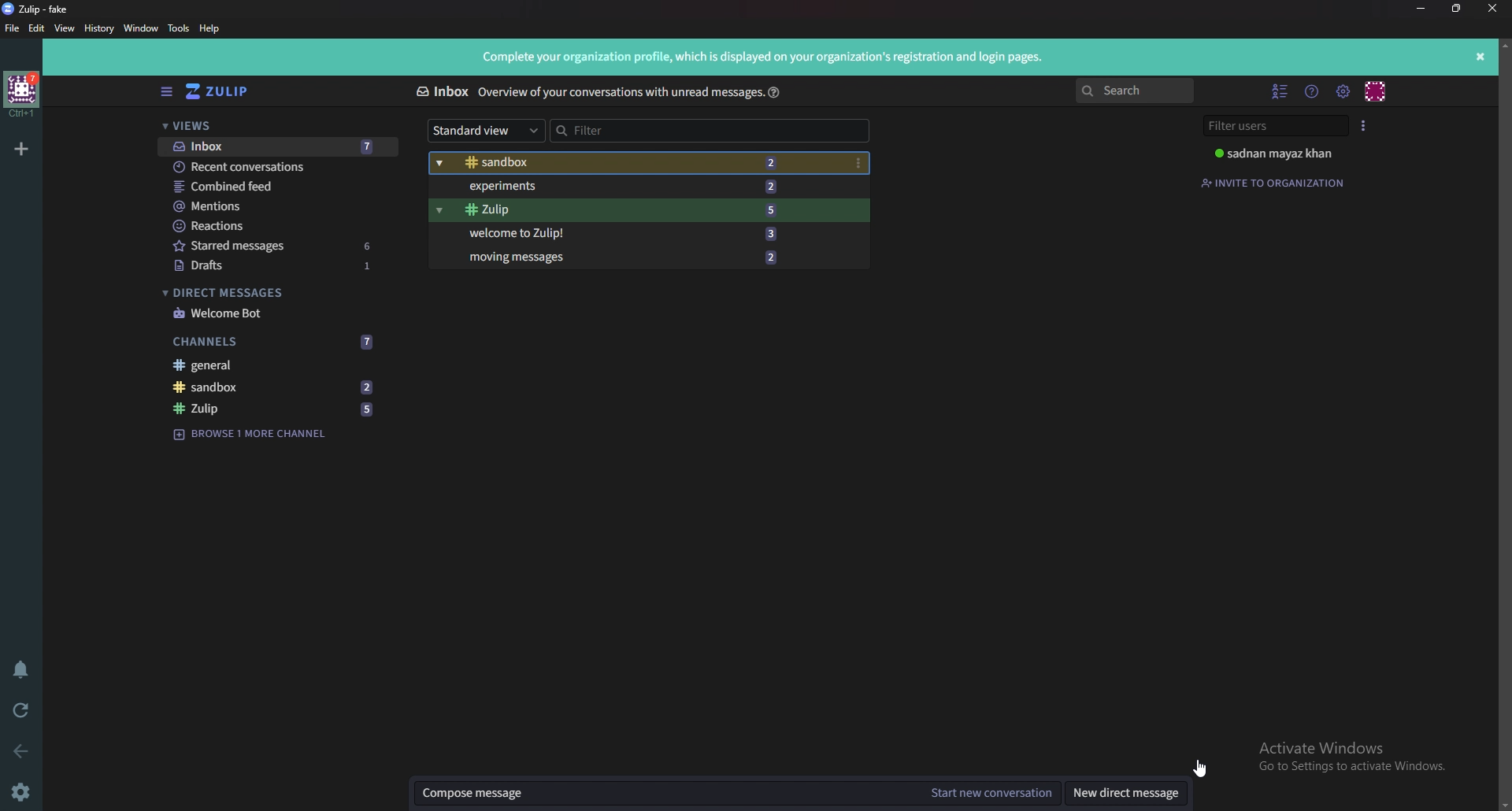 The width and height of the screenshot is (1512, 811). Describe the element at coordinates (278, 147) in the screenshot. I see `inbox` at that location.